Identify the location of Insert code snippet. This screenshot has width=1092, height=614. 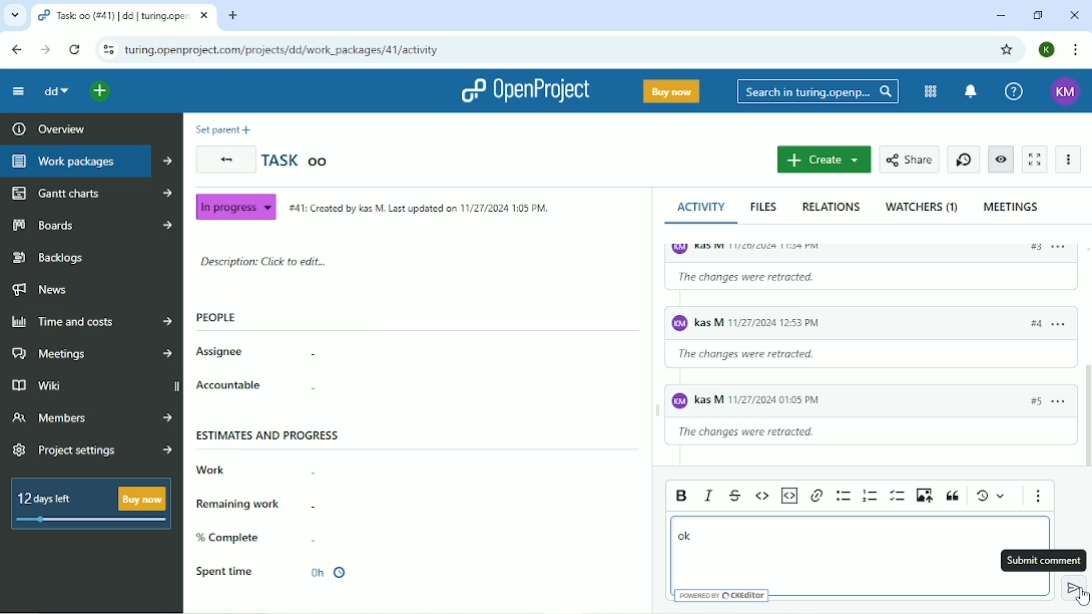
(788, 496).